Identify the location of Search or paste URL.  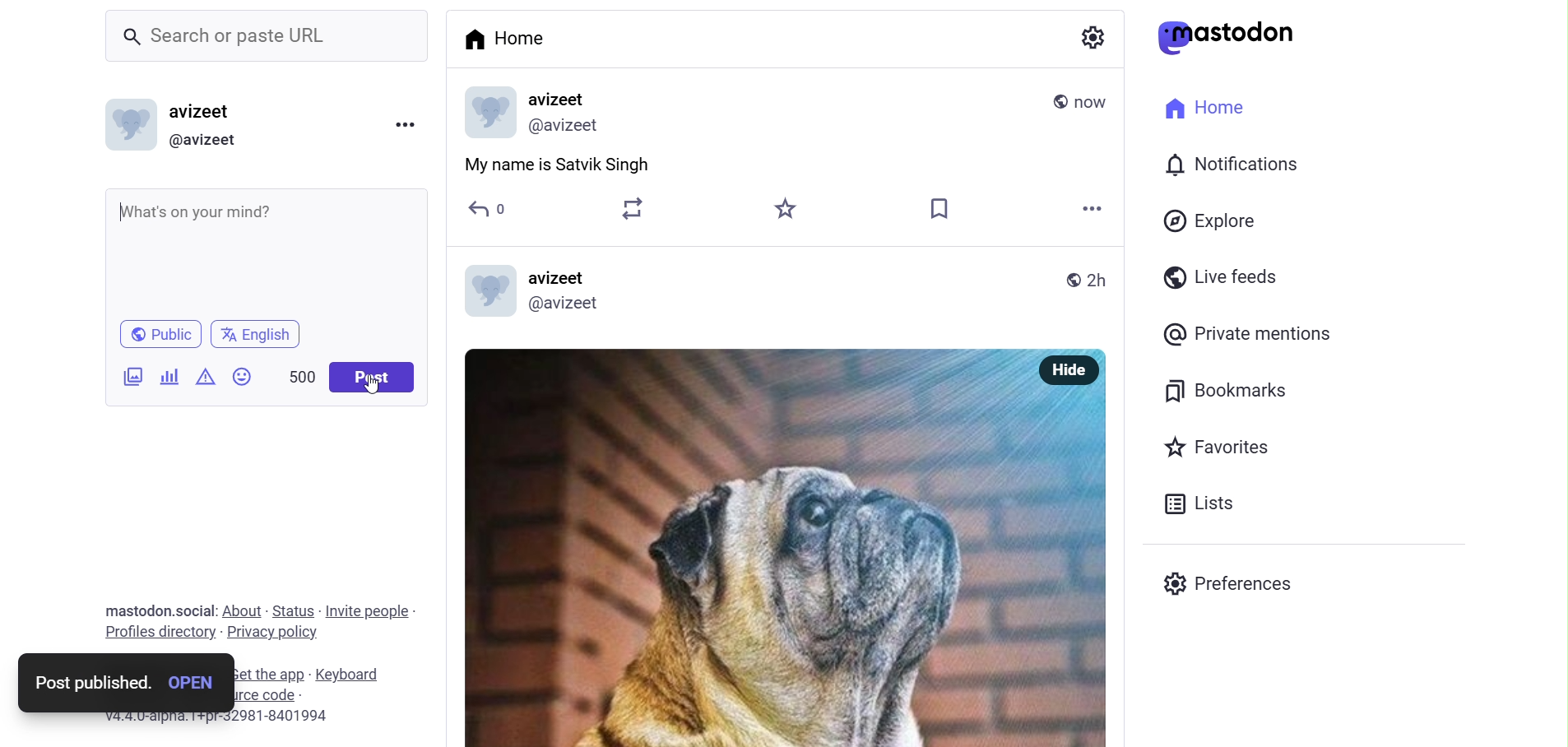
(234, 39).